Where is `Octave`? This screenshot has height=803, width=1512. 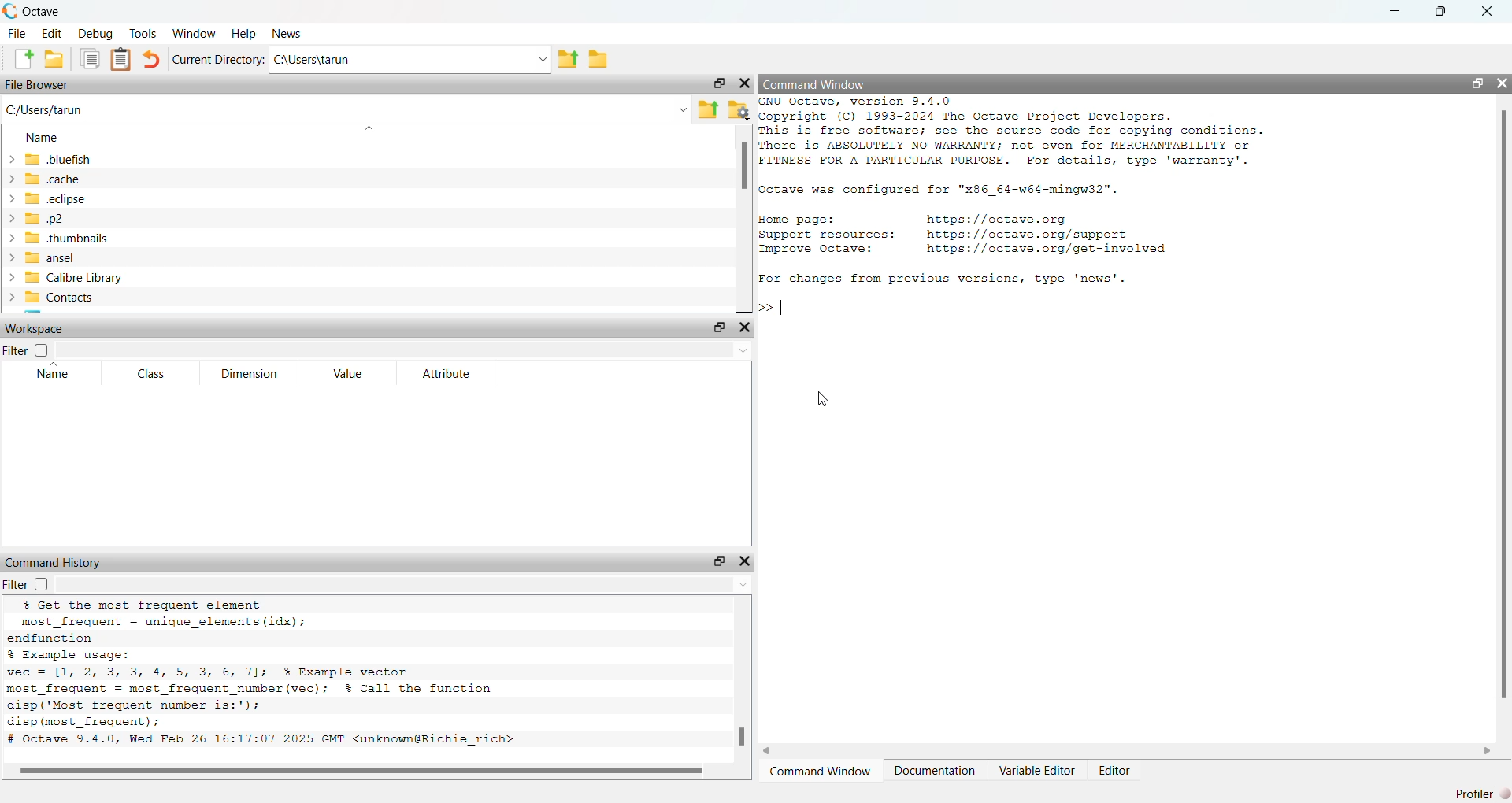 Octave is located at coordinates (42, 12).